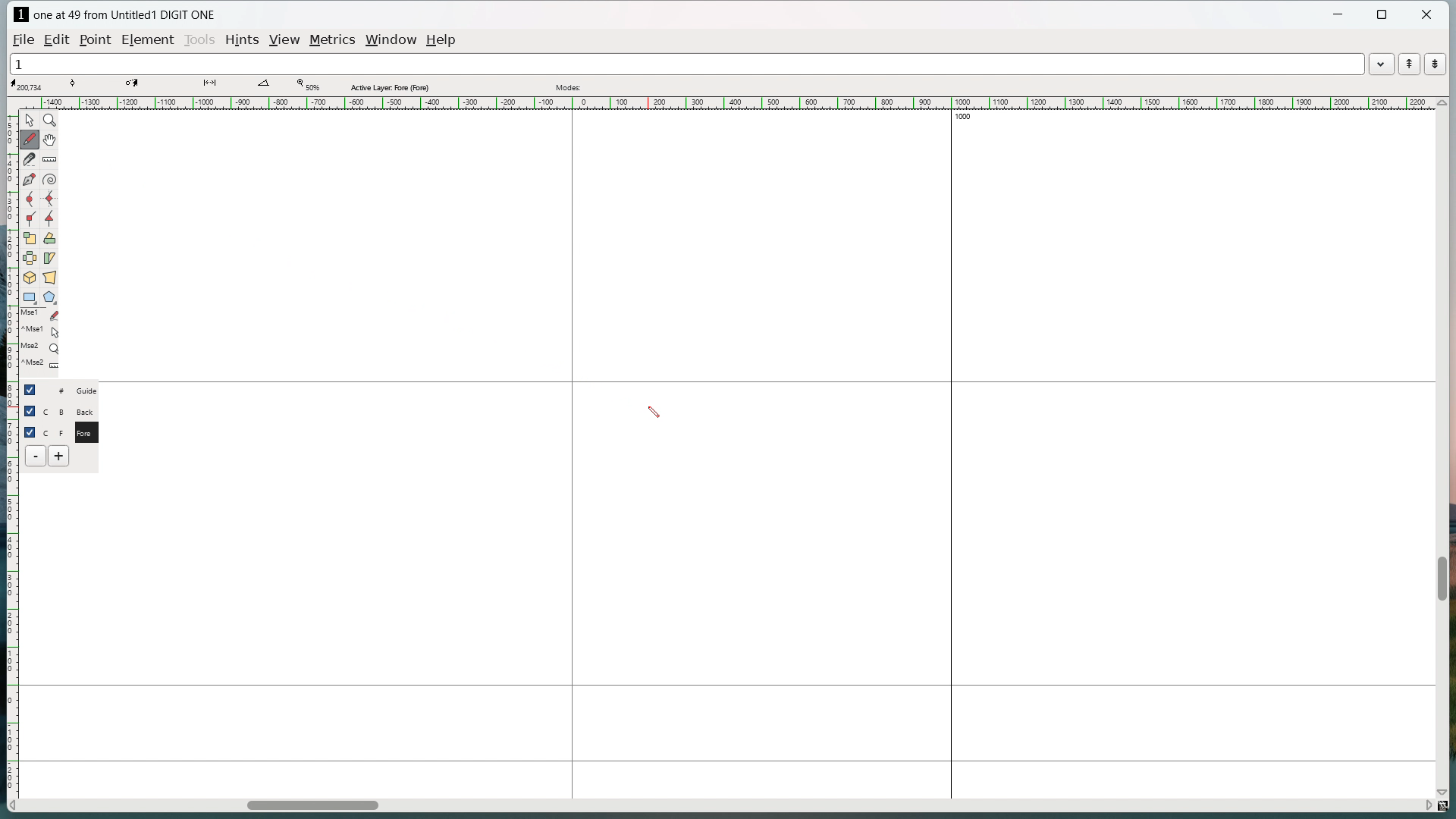 This screenshot has width=1456, height=819. I want to click on checkbox, so click(30, 431).